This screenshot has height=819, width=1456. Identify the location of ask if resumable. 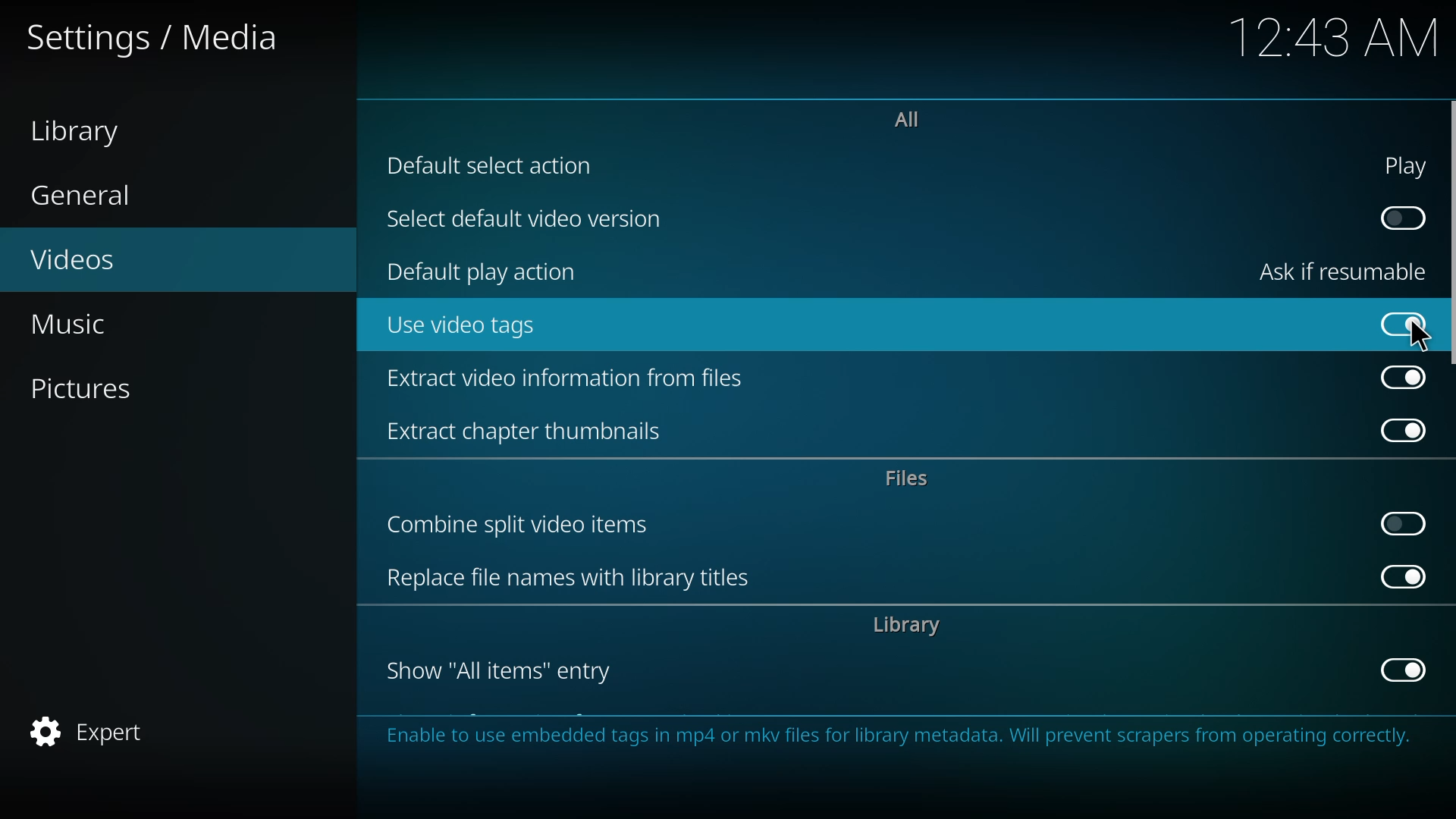
(1348, 270).